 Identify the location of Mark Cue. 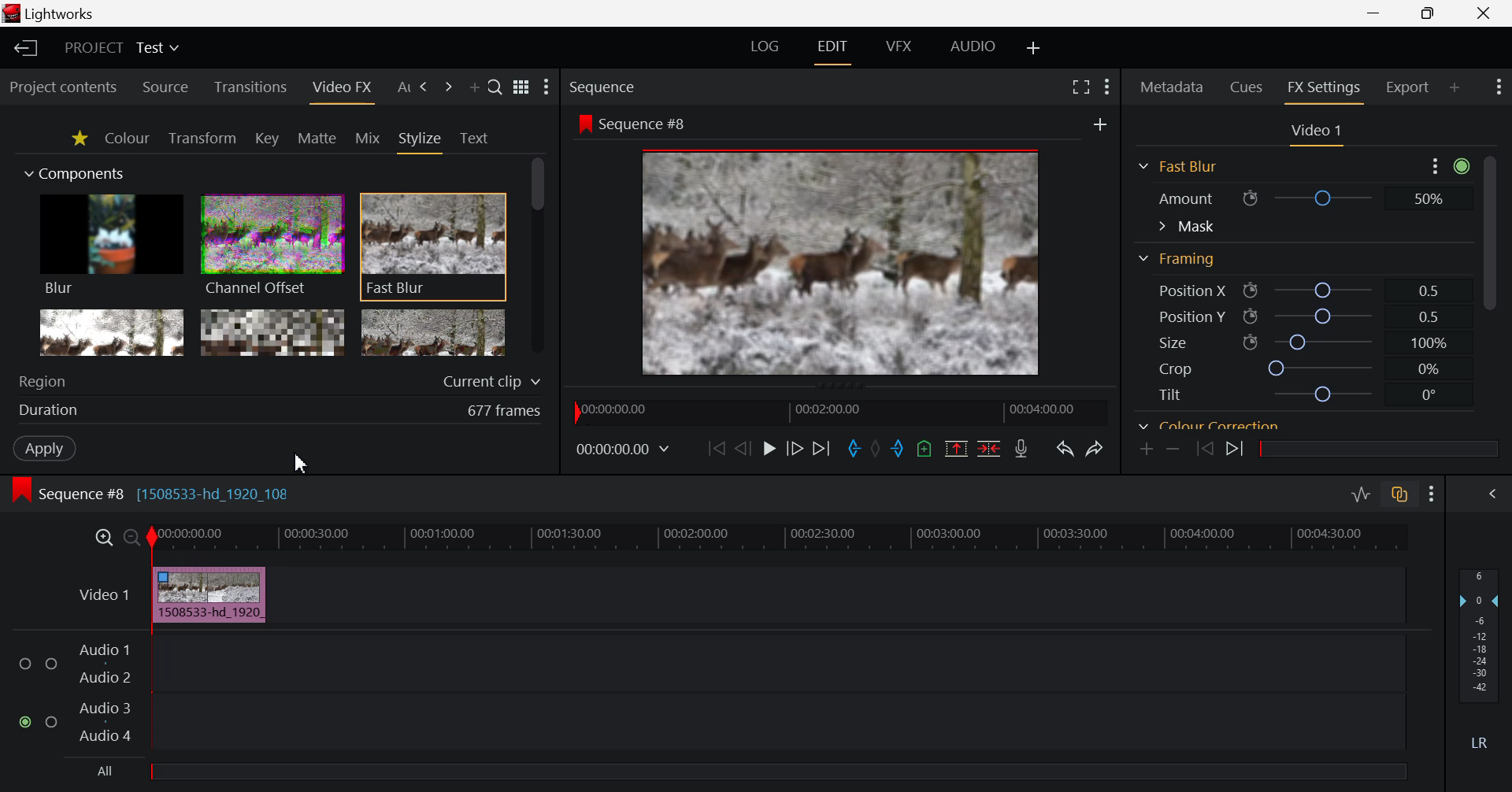
(925, 449).